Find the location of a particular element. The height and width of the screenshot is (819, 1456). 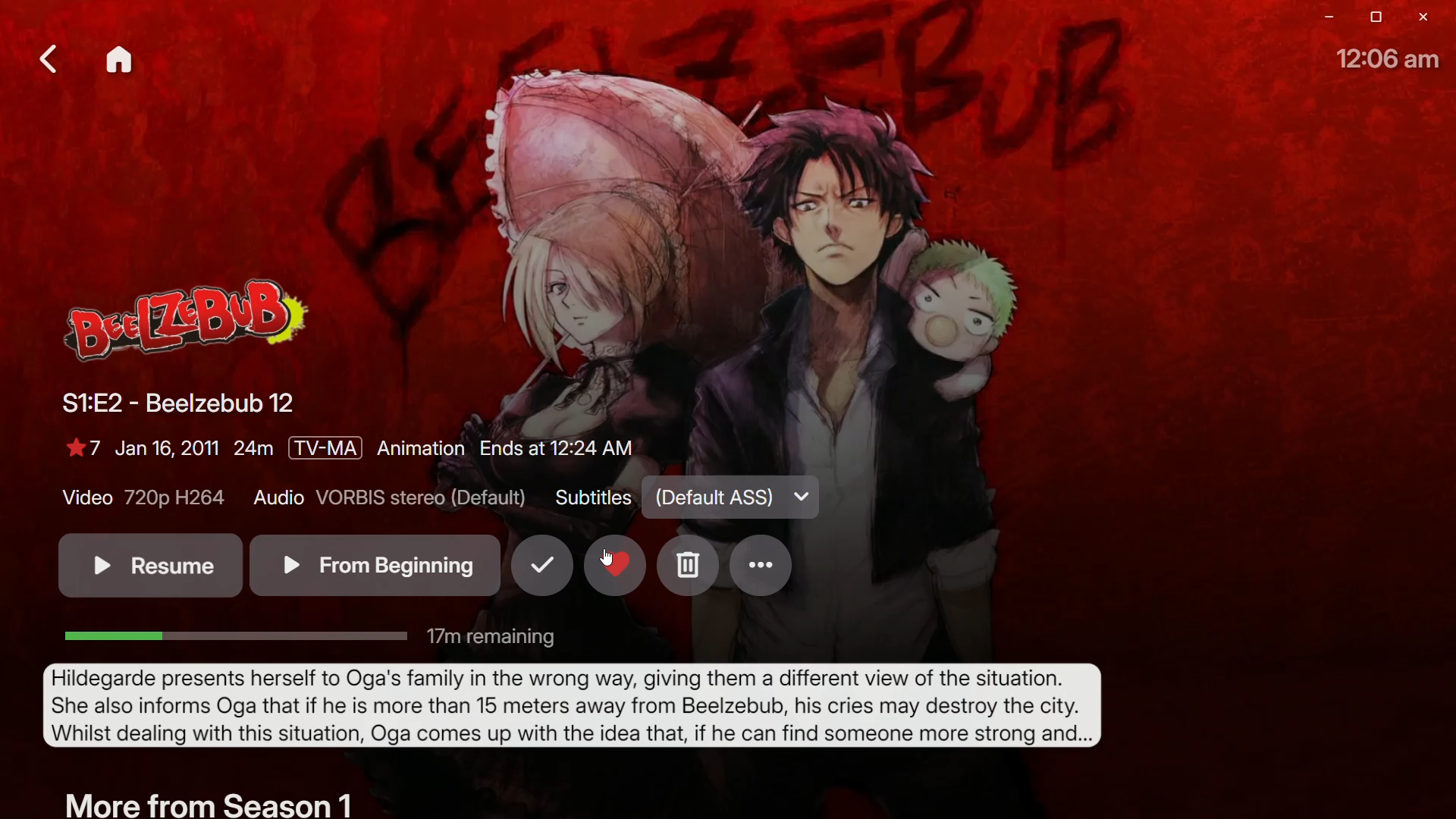

From Beginning is located at coordinates (376, 564).